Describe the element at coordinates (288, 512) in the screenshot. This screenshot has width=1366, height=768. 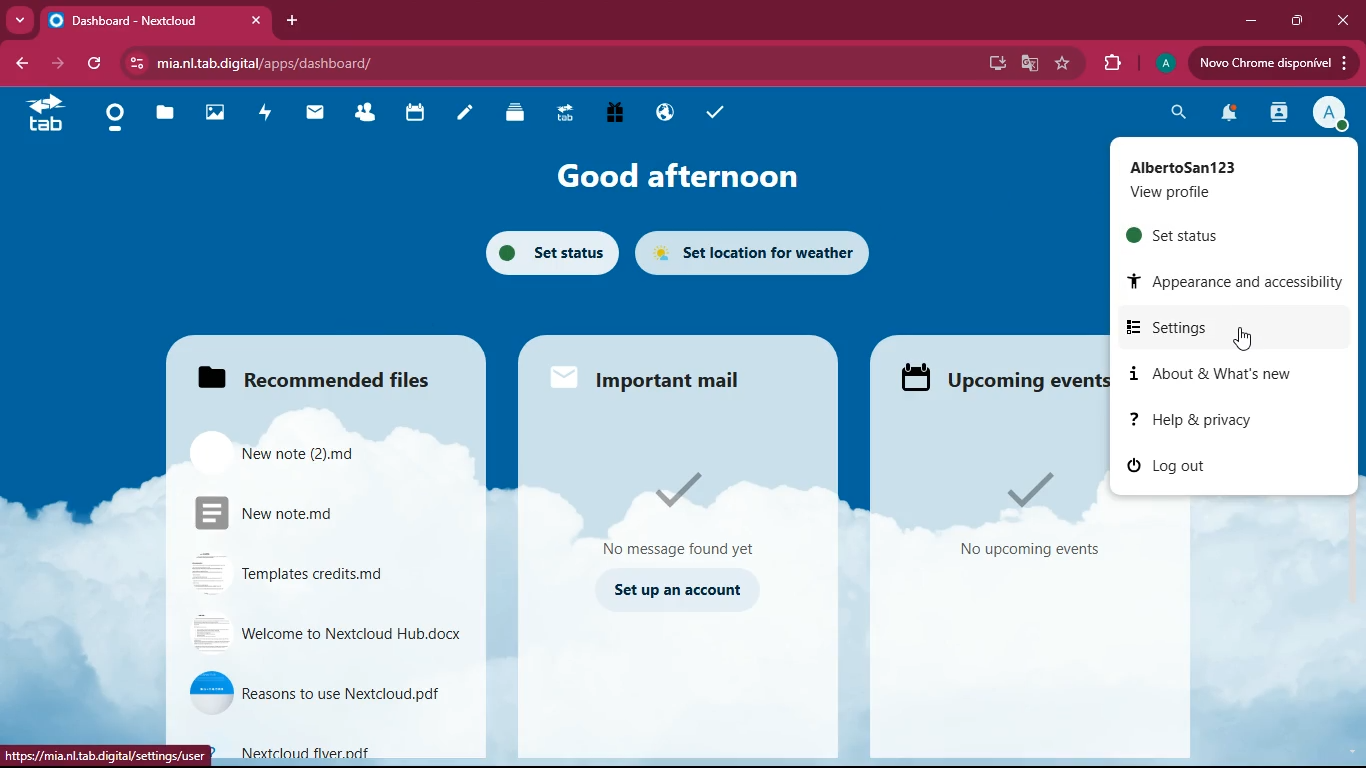
I see `file` at that location.